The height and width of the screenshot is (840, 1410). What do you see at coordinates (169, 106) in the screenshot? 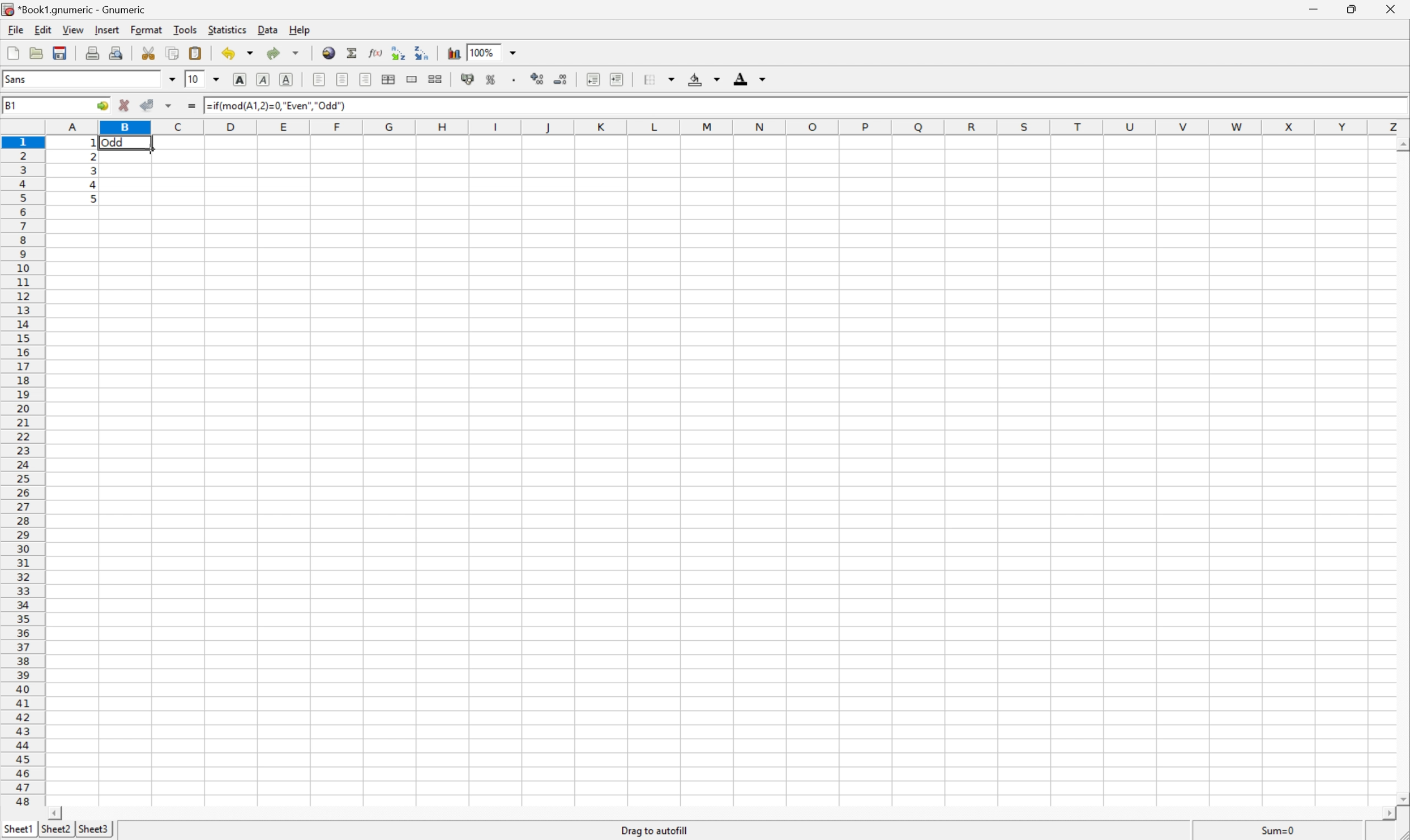
I see `` at bounding box center [169, 106].